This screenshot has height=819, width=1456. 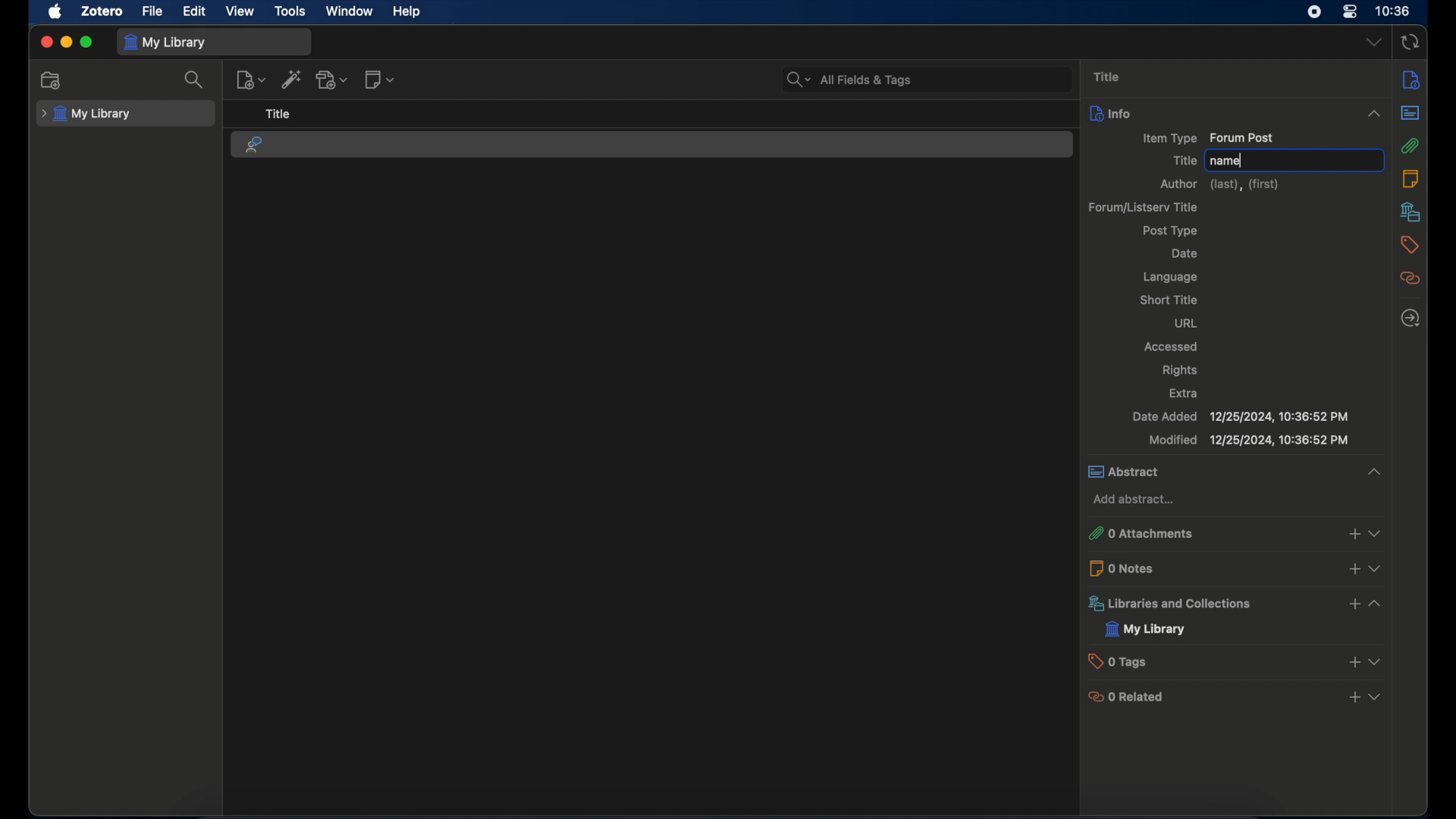 What do you see at coordinates (379, 79) in the screenshot?
I see `new note` at bounding box center [379, 79].